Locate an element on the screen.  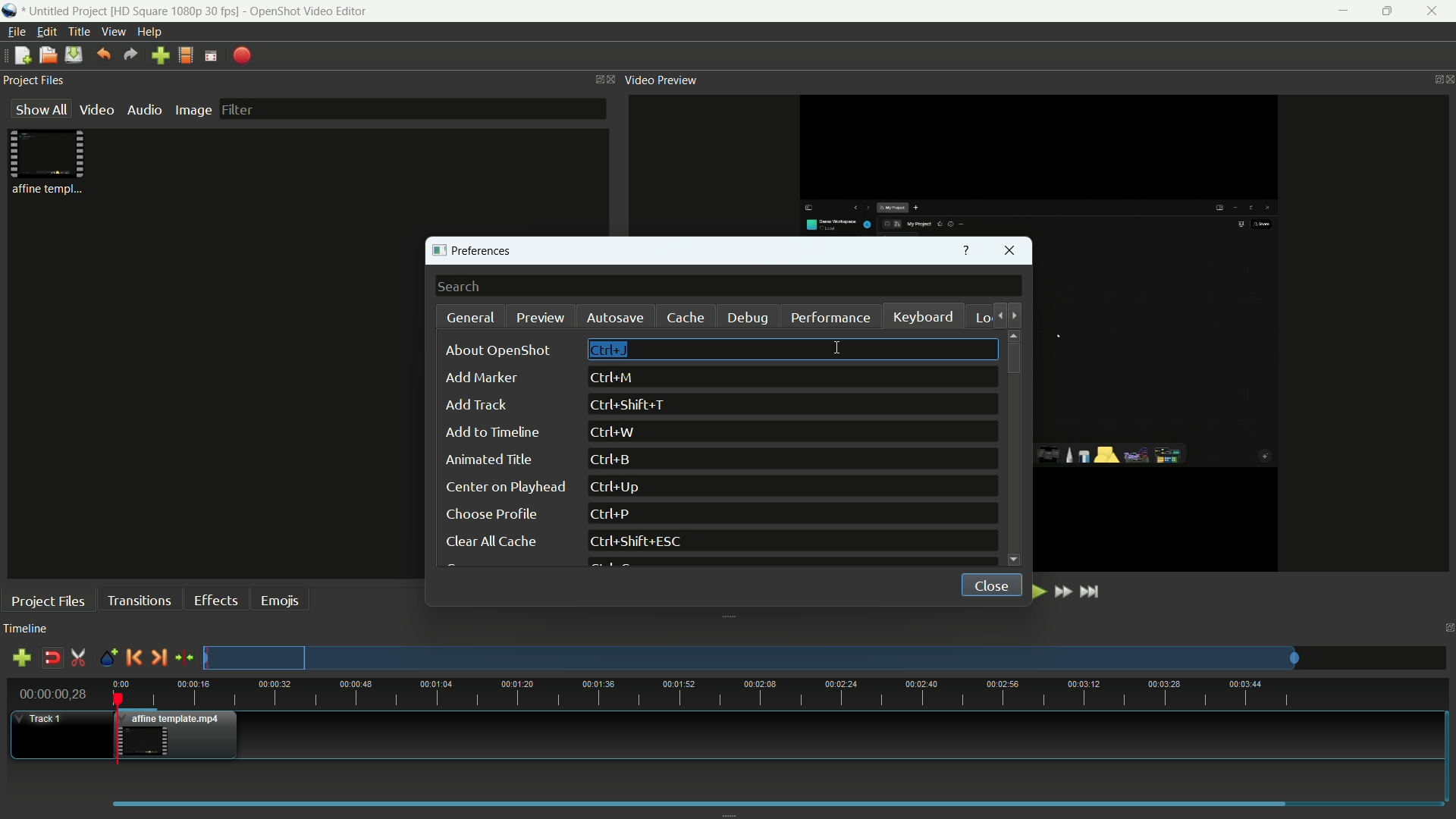
import file is located at coordinates (161, 56).